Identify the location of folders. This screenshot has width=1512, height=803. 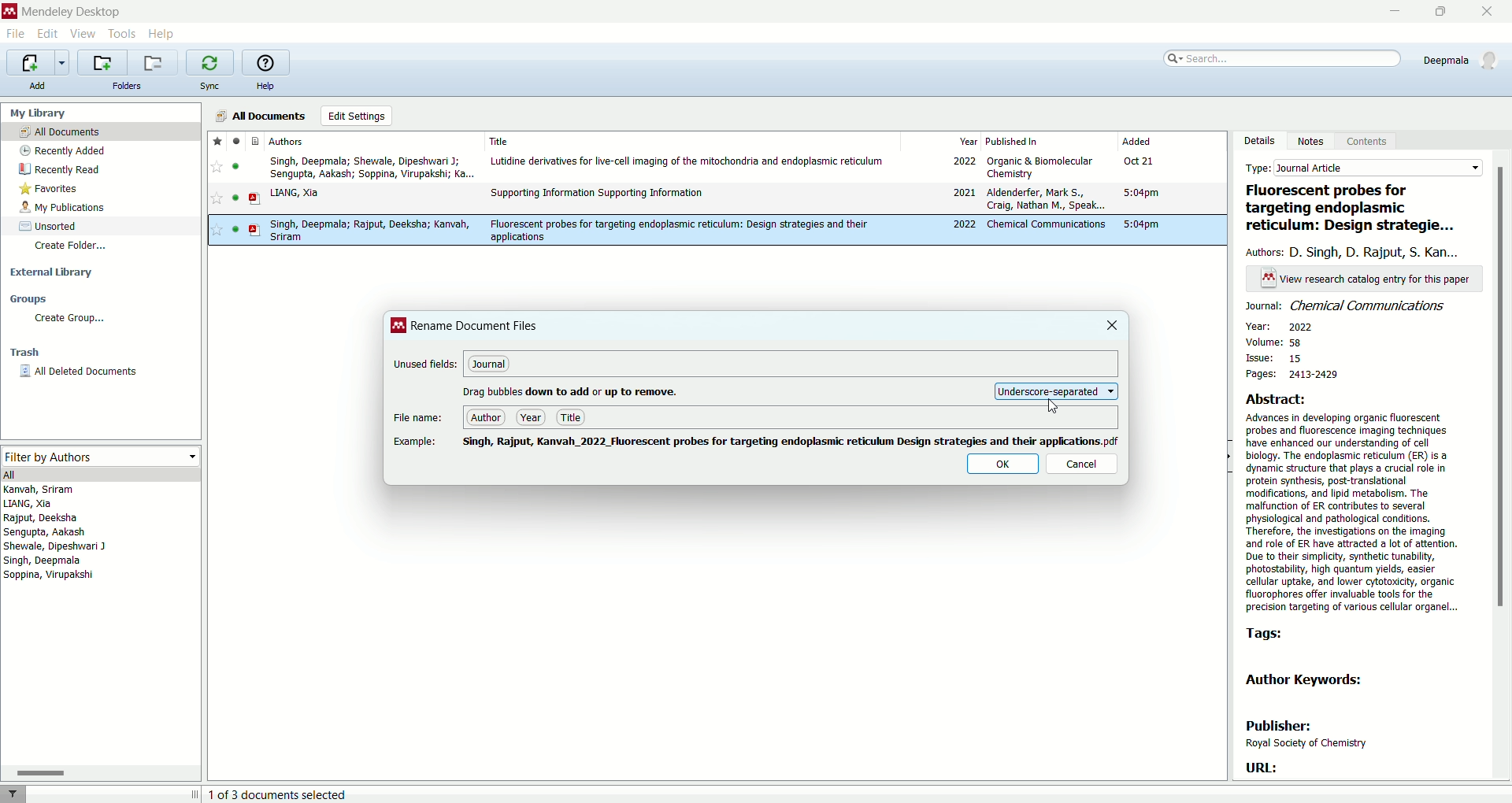
(128, 87).